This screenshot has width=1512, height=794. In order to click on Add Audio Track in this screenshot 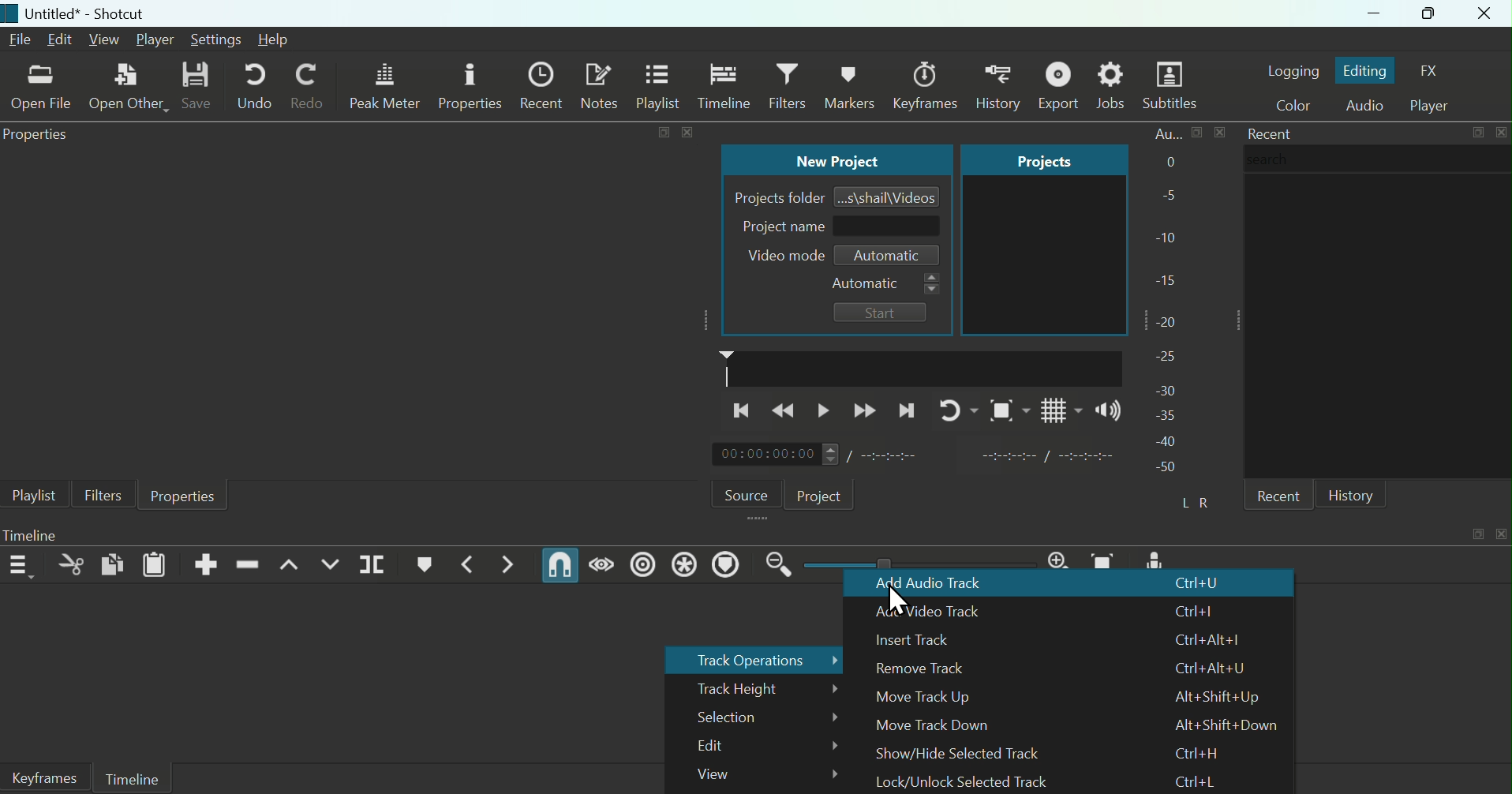, I will do `click(950, 586)`.